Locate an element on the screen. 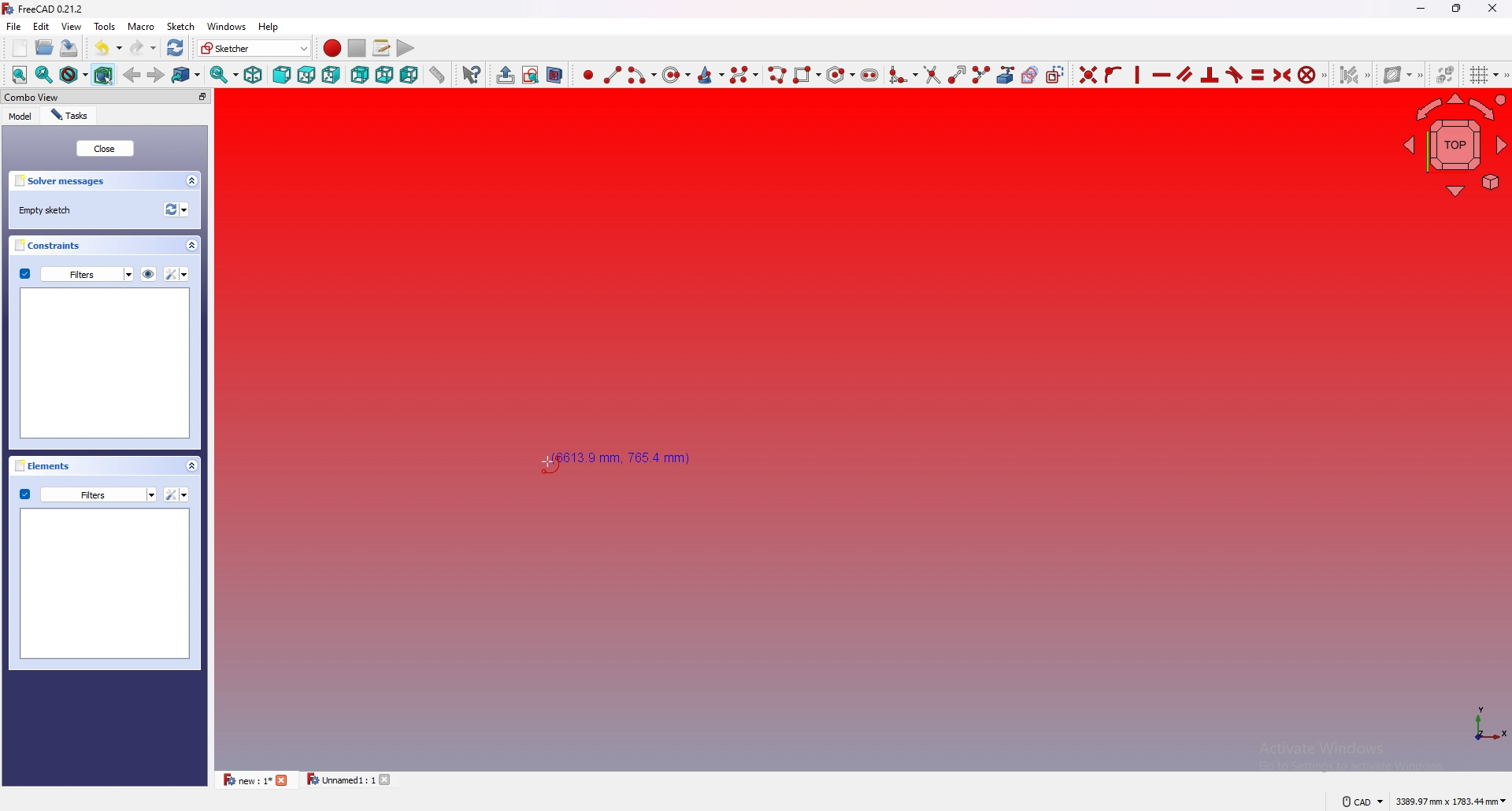  measure distance is located at coordinates (437, 74).